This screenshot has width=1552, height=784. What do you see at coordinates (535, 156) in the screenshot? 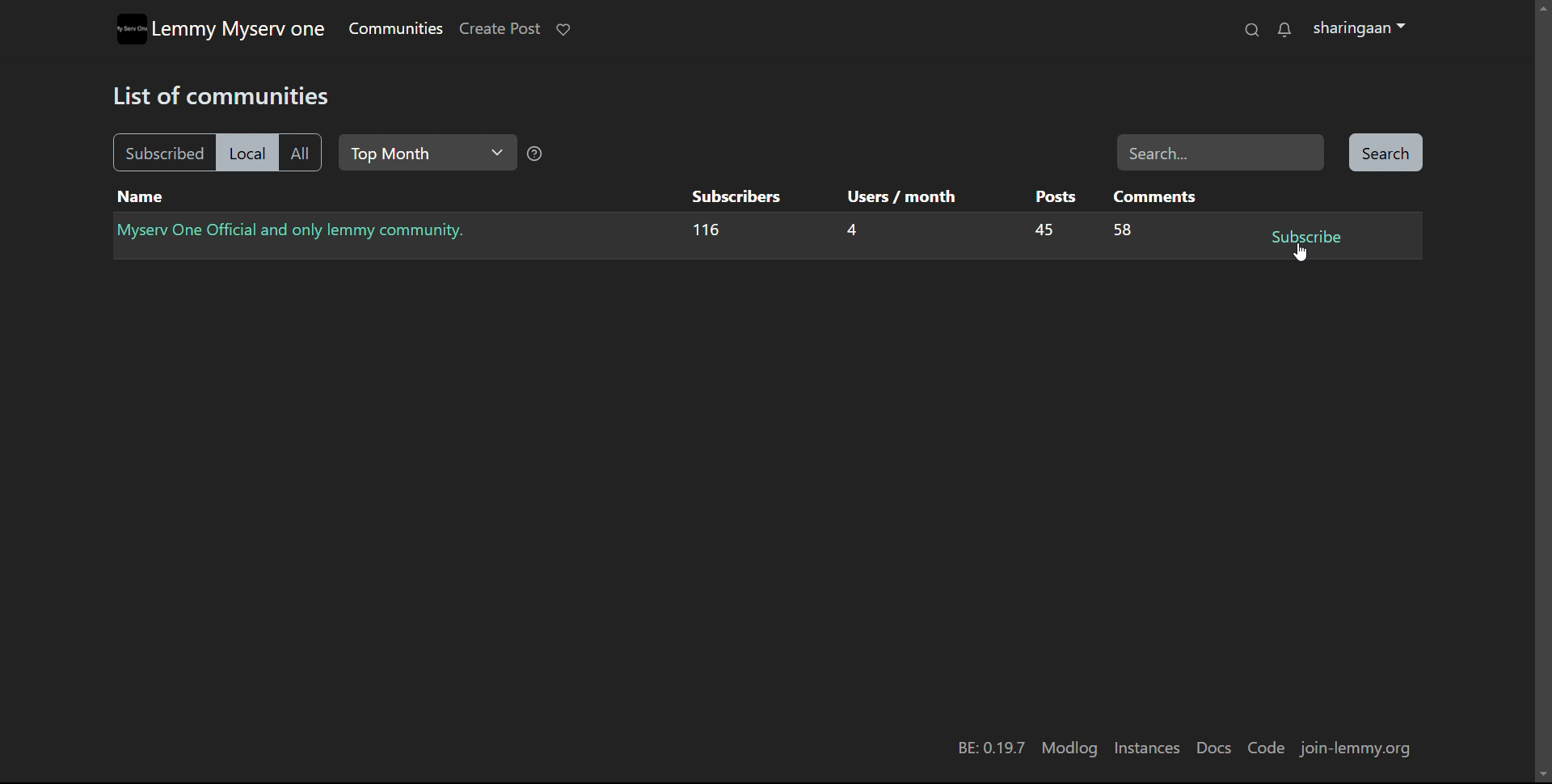
I see `help` at bounding box center [535, 156].